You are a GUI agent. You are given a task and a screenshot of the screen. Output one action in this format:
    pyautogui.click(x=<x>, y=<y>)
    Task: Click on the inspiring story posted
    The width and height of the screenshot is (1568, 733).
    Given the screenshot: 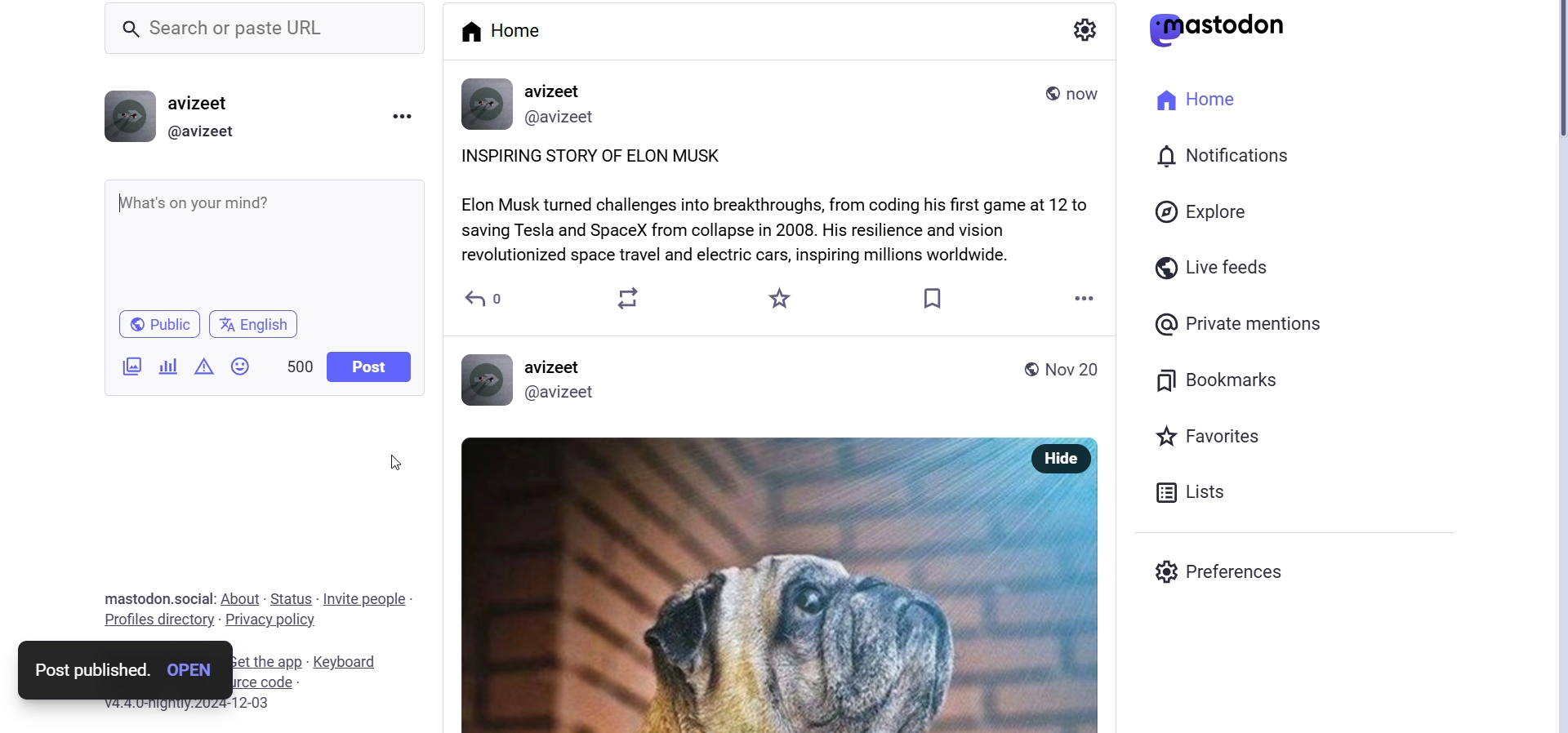 What is the action you would take?
    pyautogui.click(x=781, y=205)
    